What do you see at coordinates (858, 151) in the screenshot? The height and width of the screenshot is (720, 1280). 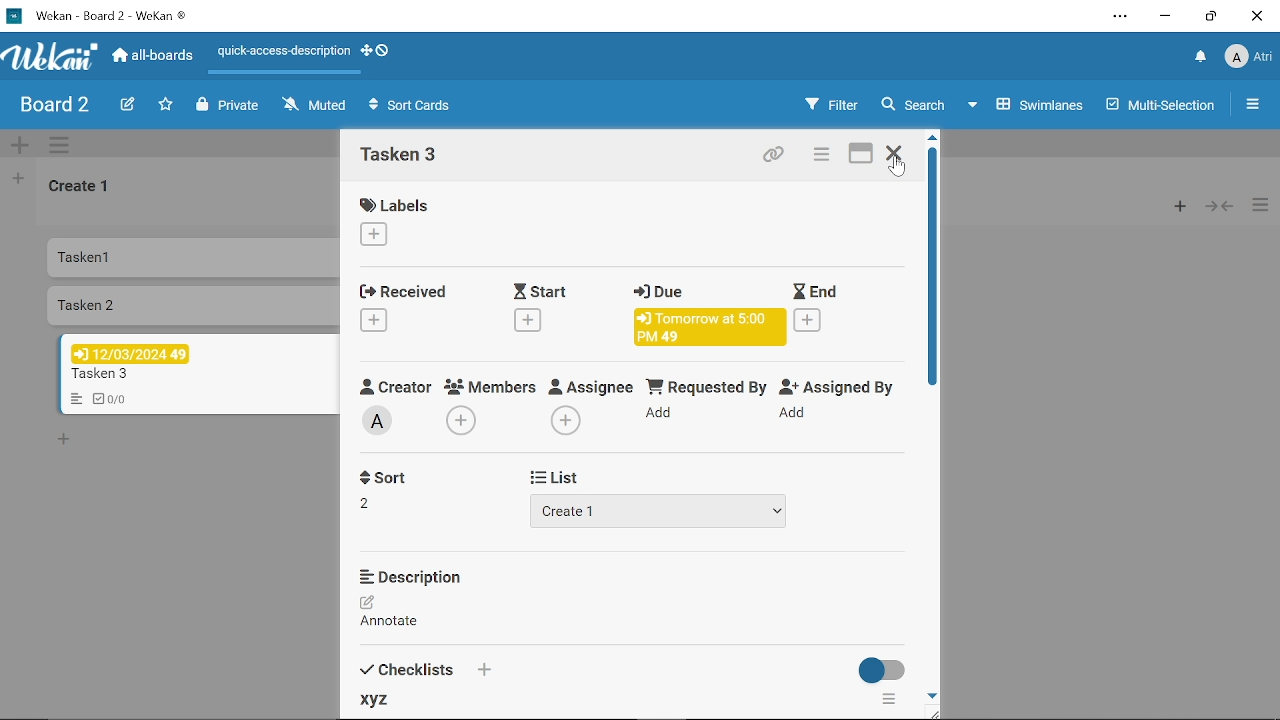 I see `maximize card` at bounding box center [858, 151].